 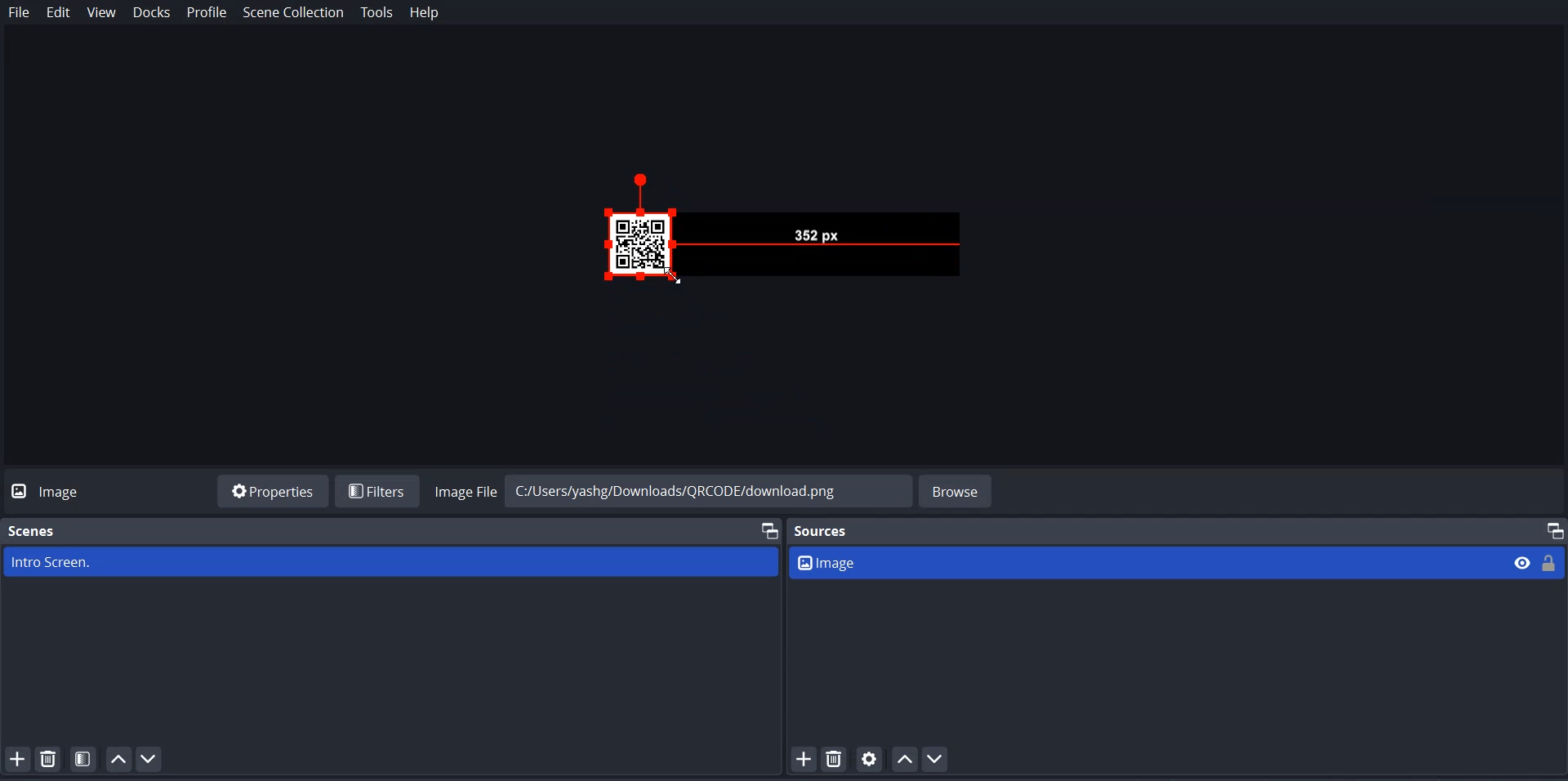 I want to click on Profile, so click(x=207, y=13).